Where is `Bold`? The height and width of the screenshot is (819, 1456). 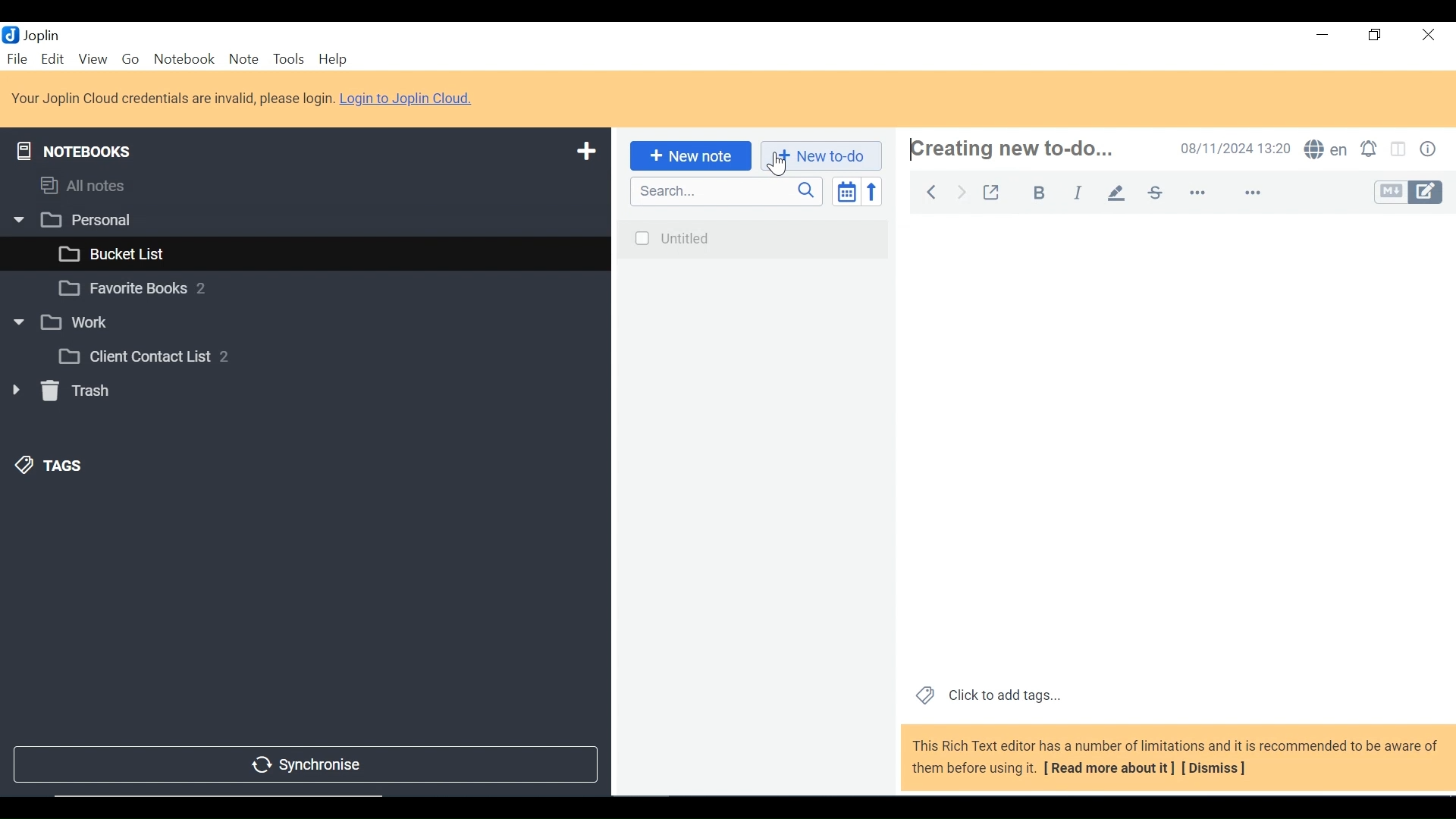
Bold is located at coordinates (1041, 193).